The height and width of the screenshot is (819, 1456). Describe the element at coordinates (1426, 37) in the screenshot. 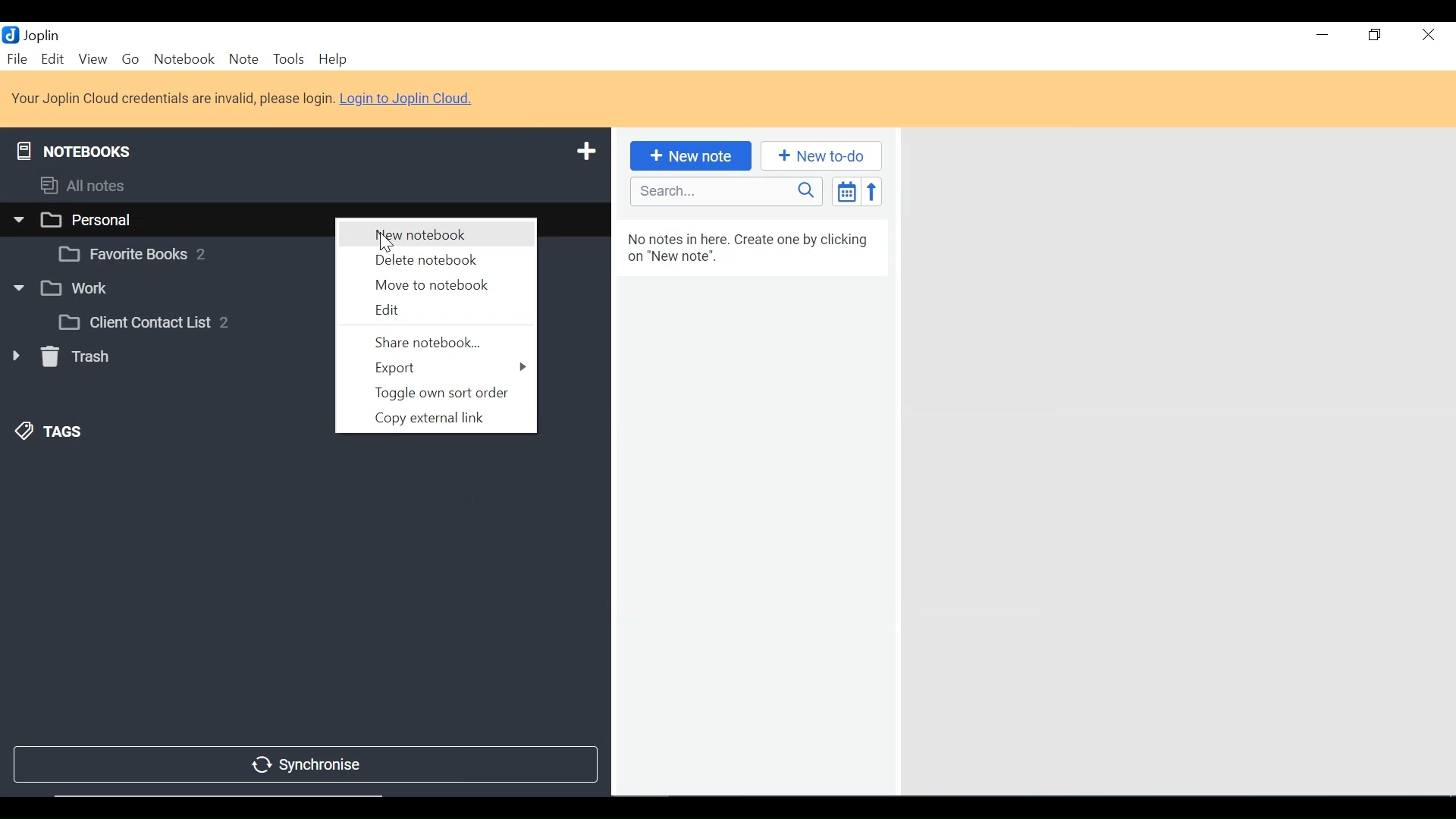

I see `Close` at that location.